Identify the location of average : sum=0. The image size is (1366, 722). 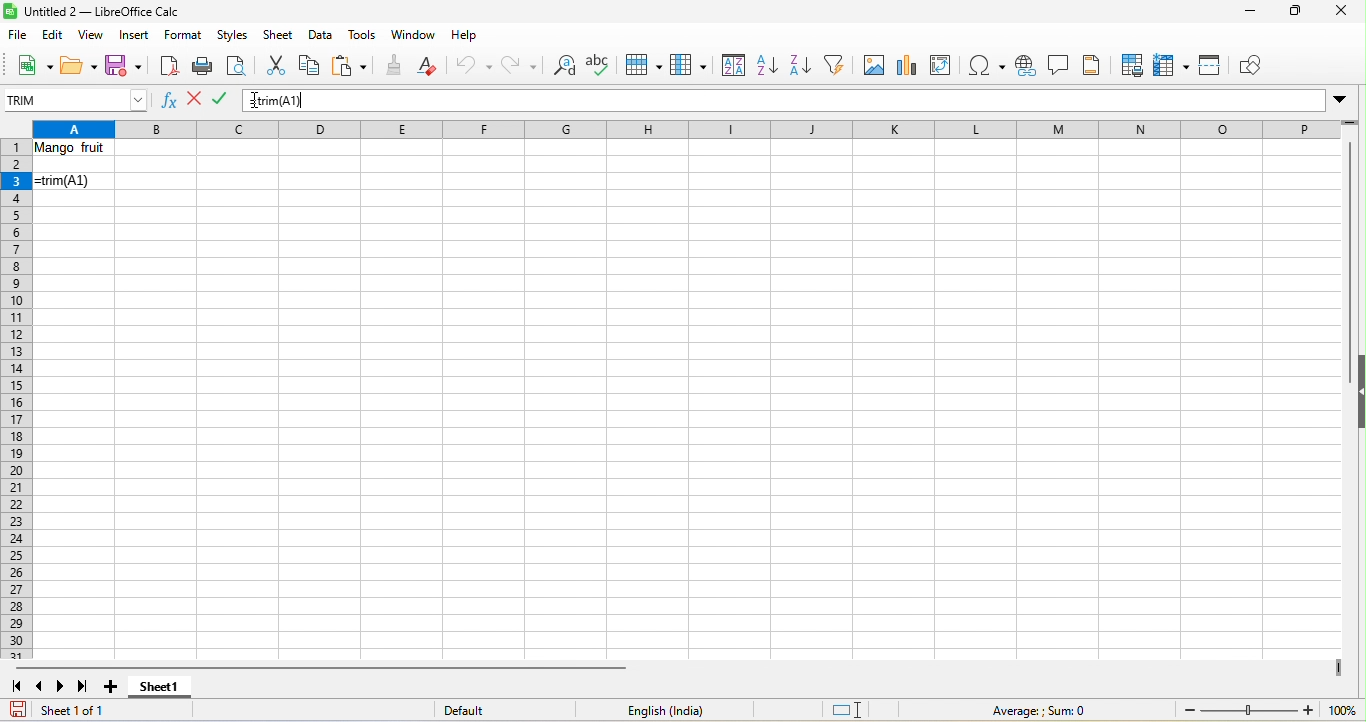
(1045, 711).